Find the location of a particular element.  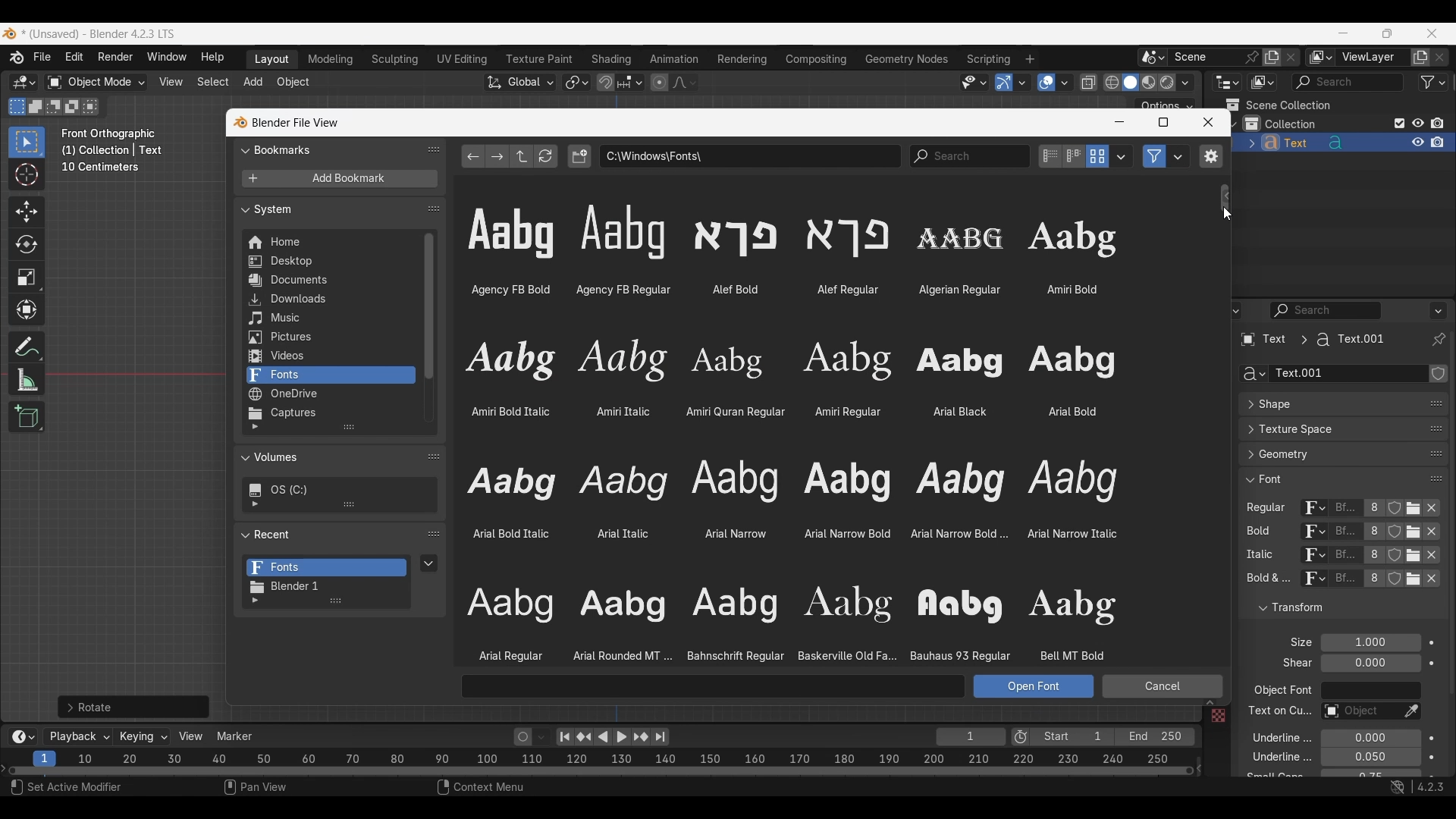

Change order in the list is located at coordinates (1436, 626).